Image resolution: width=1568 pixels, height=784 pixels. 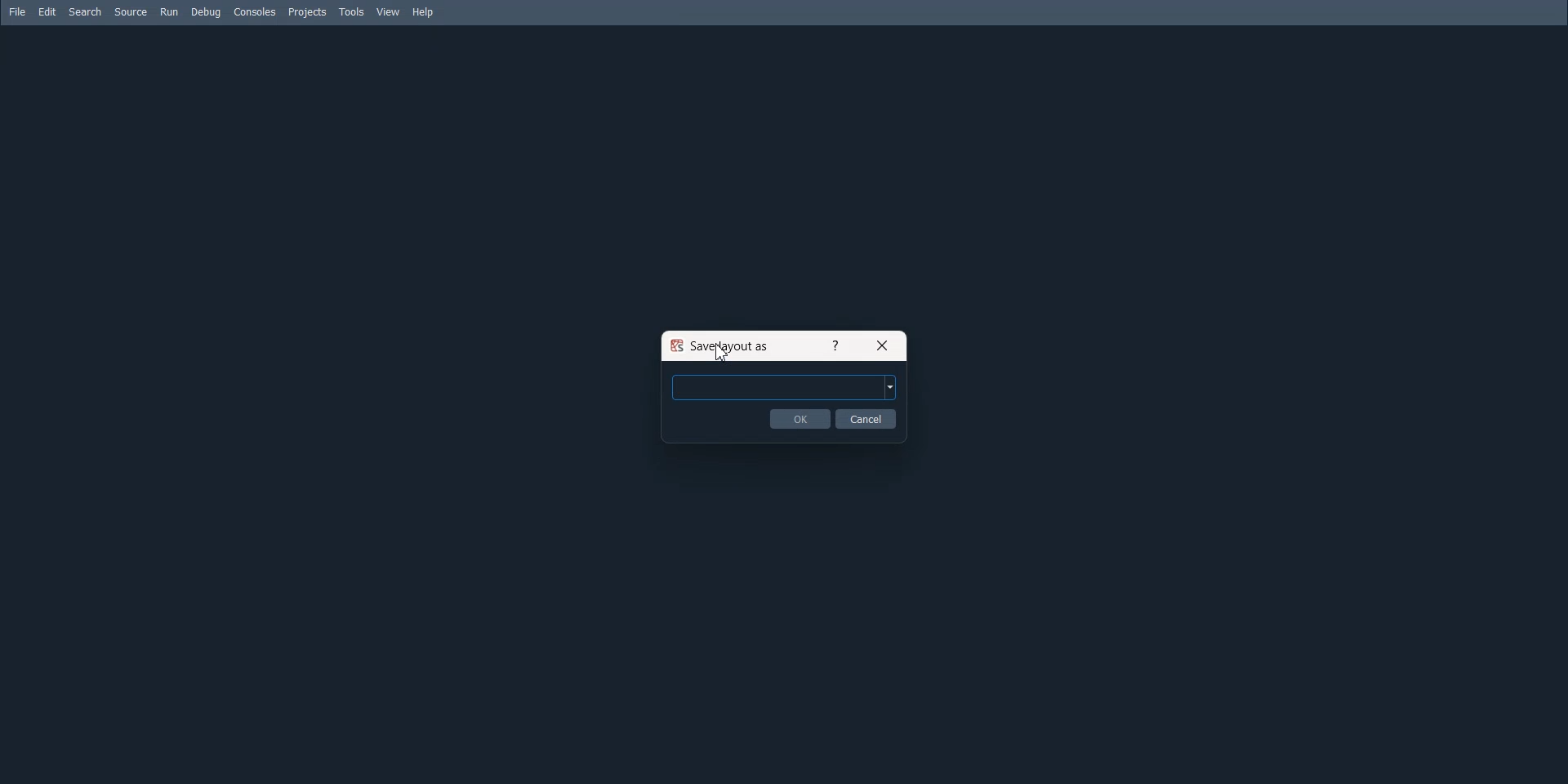 I want to click on Search, so click(x=86, y=12).